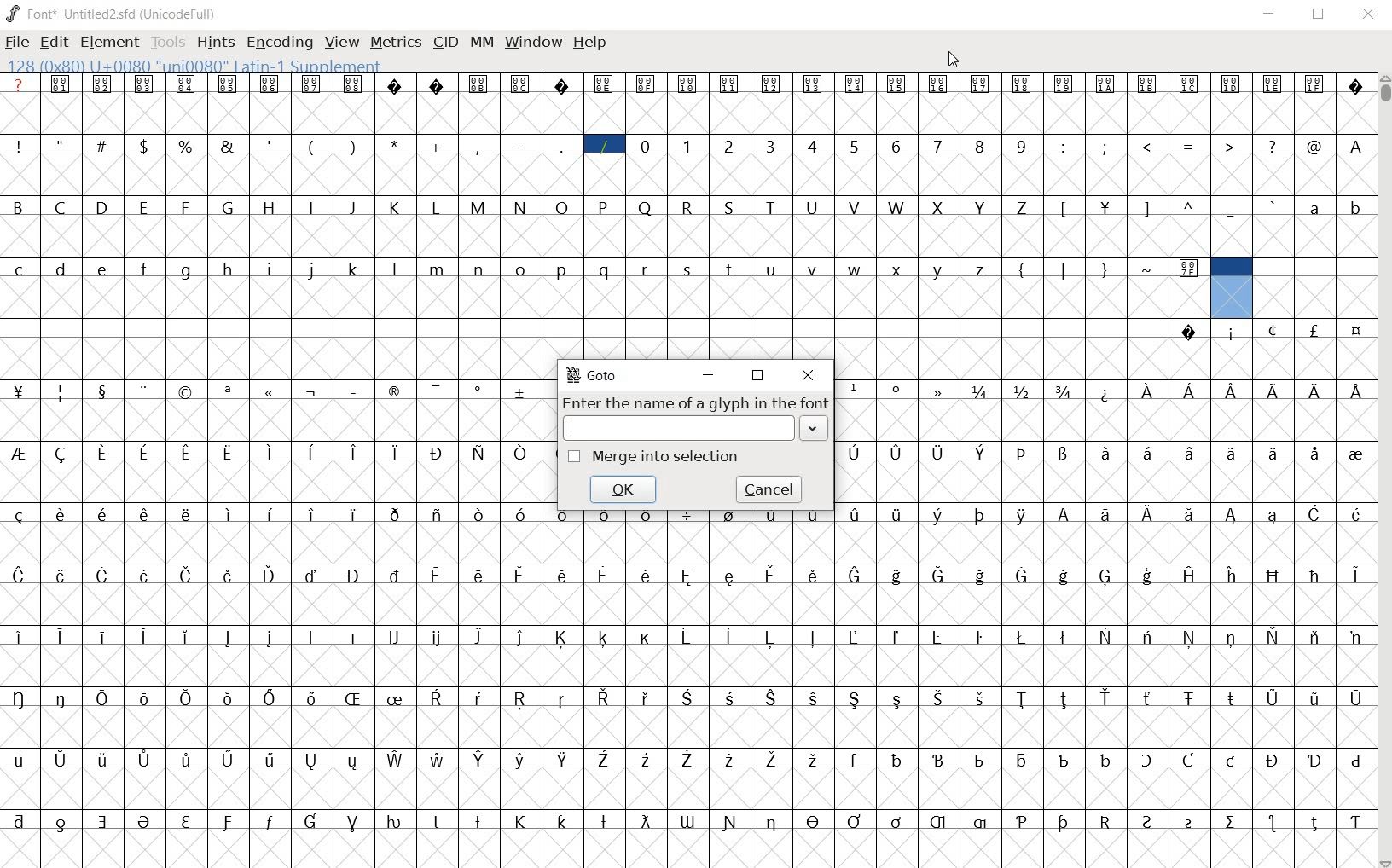 This screenshot has height=868, width=1392. I want to click on 5, so click(857, 145).